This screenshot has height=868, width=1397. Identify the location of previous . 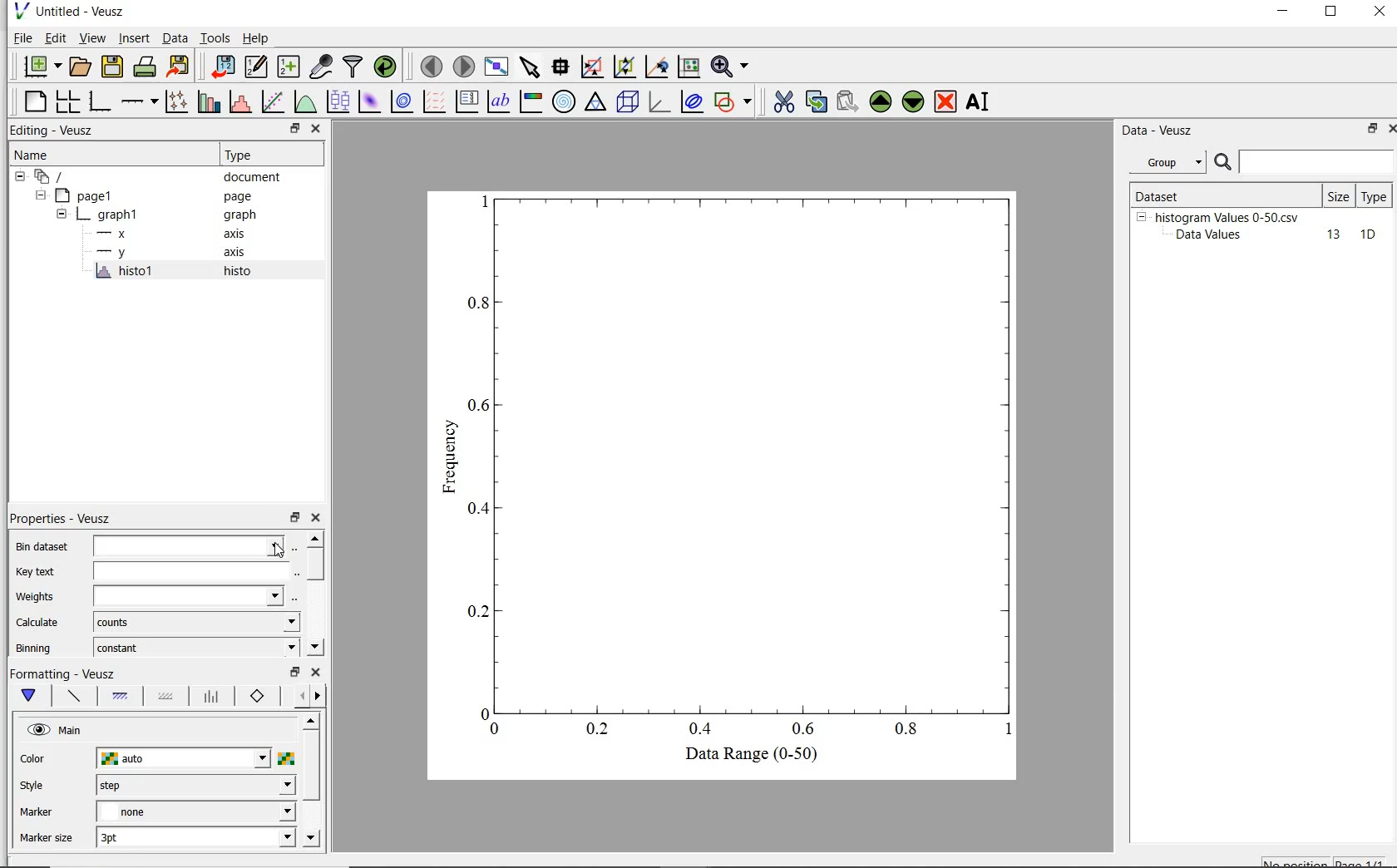
(299, 697).